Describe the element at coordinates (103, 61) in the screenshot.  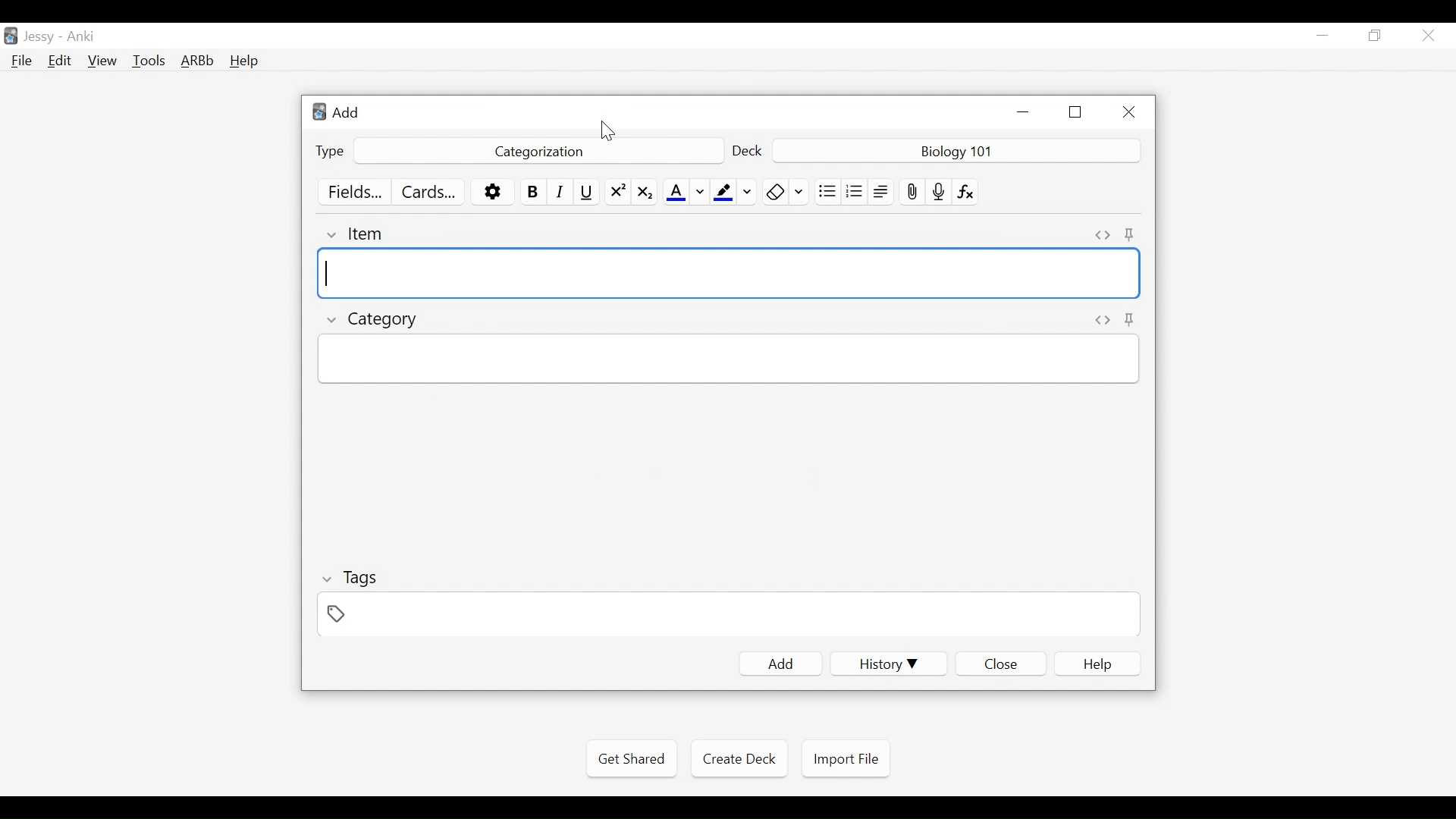
I see `View` at that location.